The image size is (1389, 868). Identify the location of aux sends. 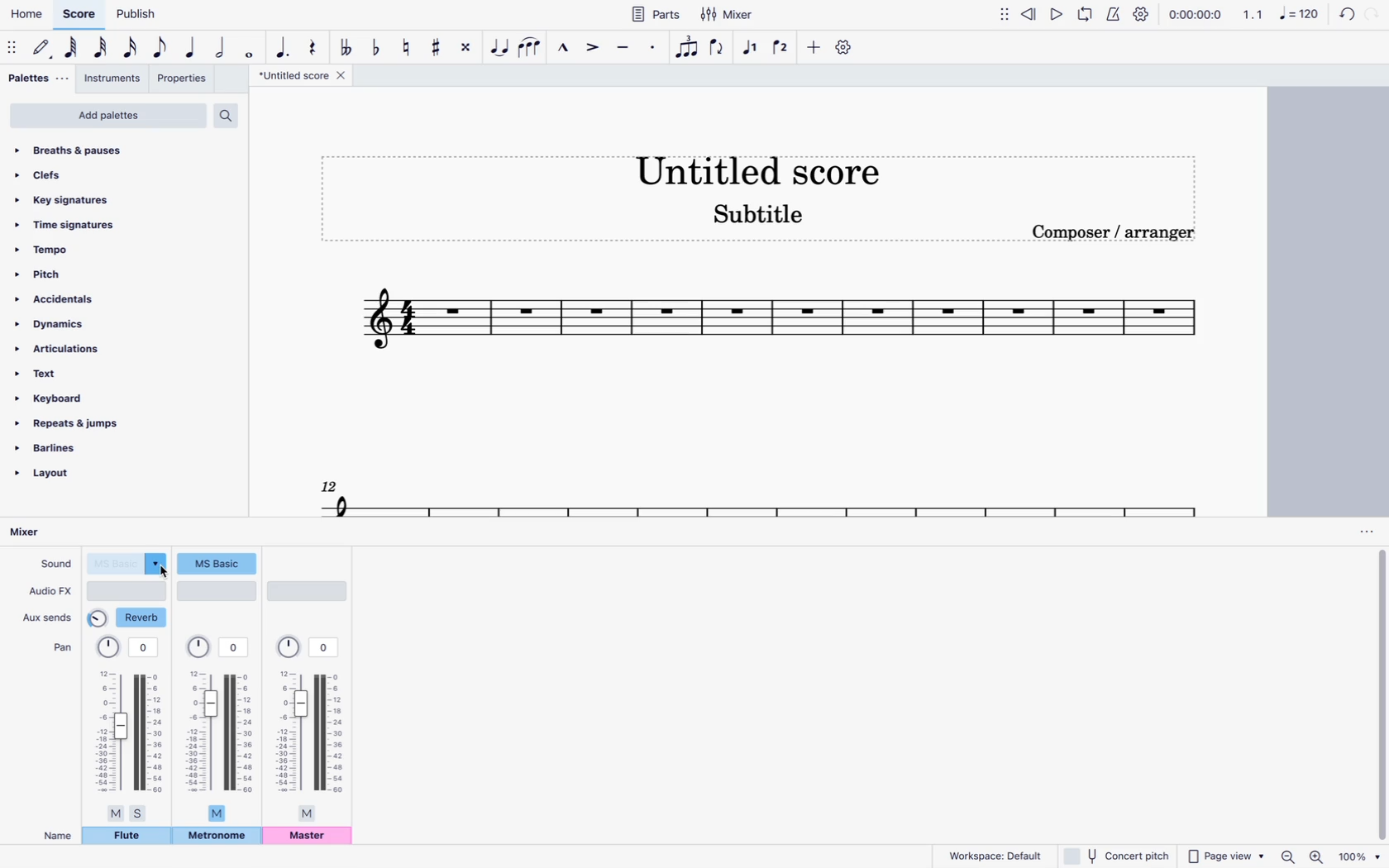
(49, 614).